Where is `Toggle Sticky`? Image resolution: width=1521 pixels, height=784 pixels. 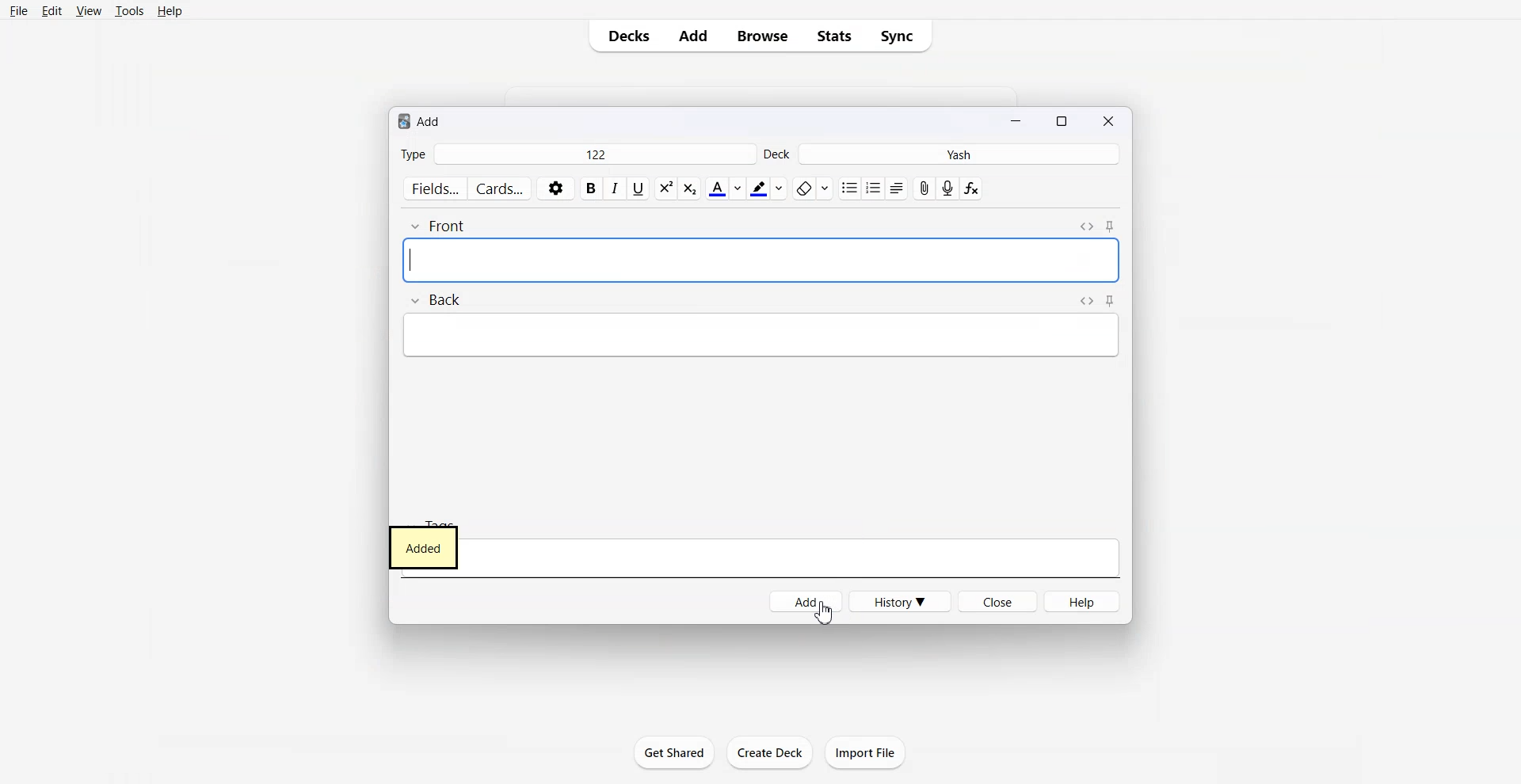
Toggle Sticky is located at coordinates (1111, 301).